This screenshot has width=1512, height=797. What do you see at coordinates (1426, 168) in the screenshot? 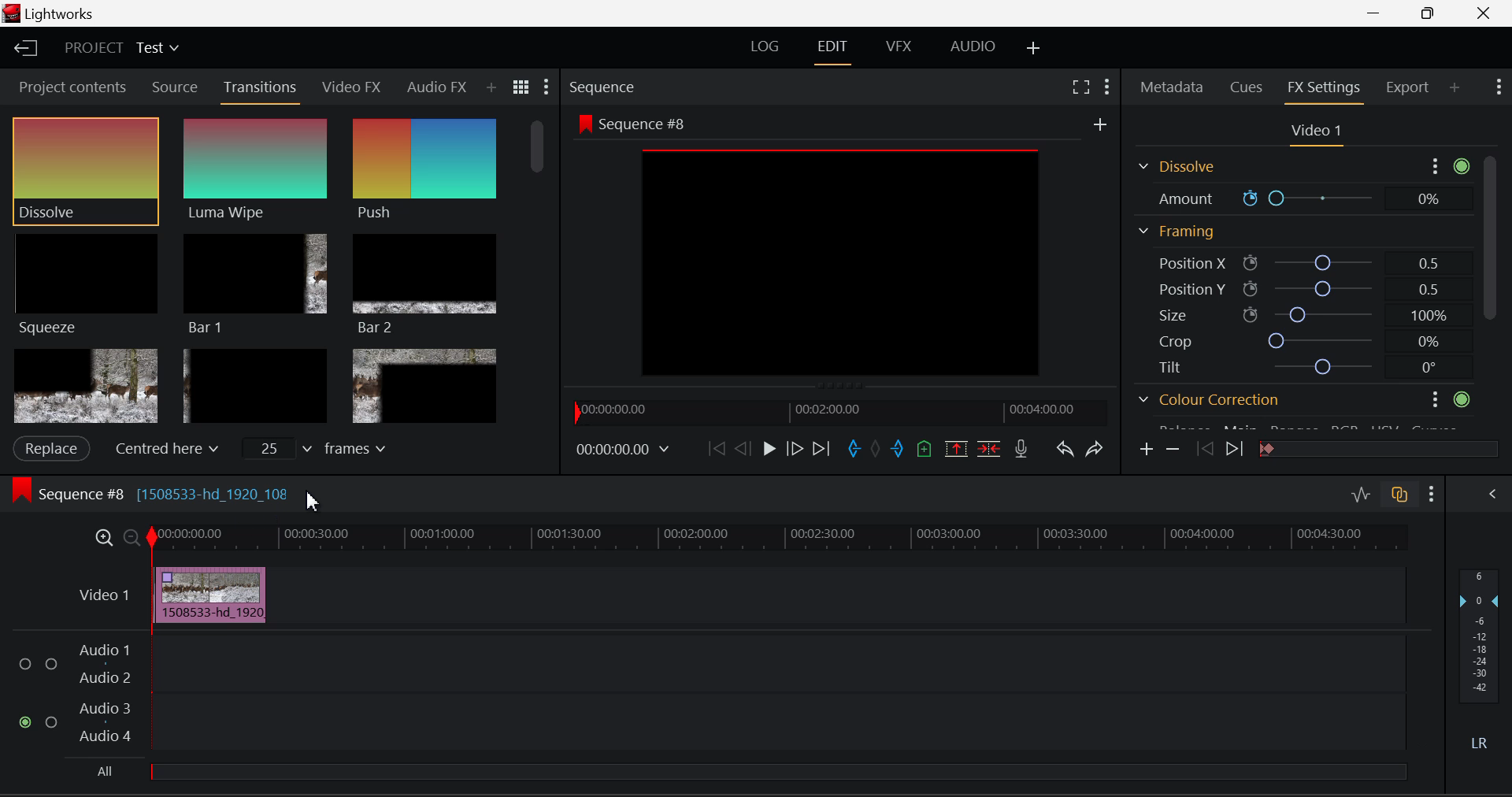
I see `more options` at bounding box center [1426, 168].